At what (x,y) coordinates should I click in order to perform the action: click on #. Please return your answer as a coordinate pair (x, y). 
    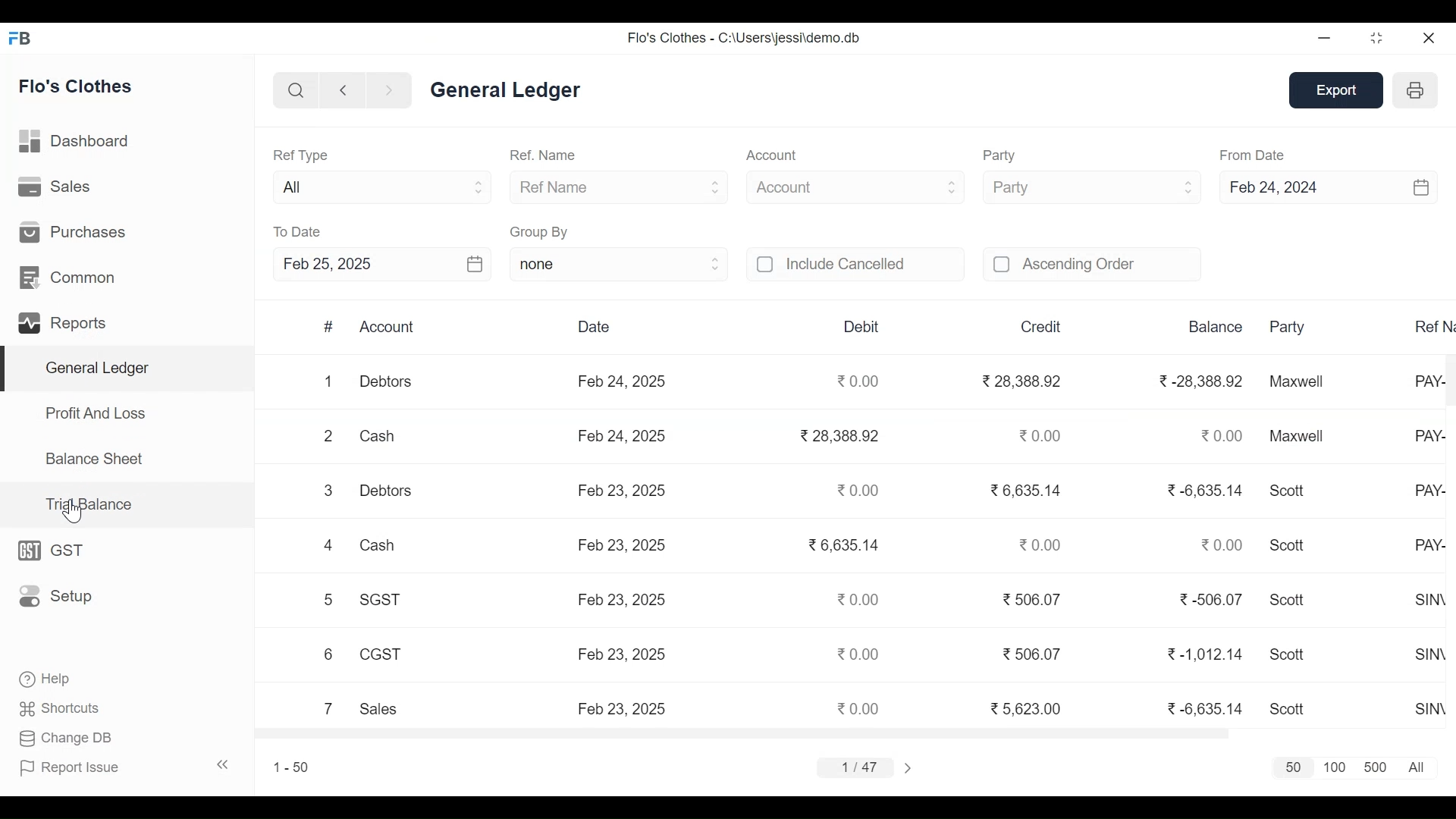
    Looking at the image, I should click on (328, 327).